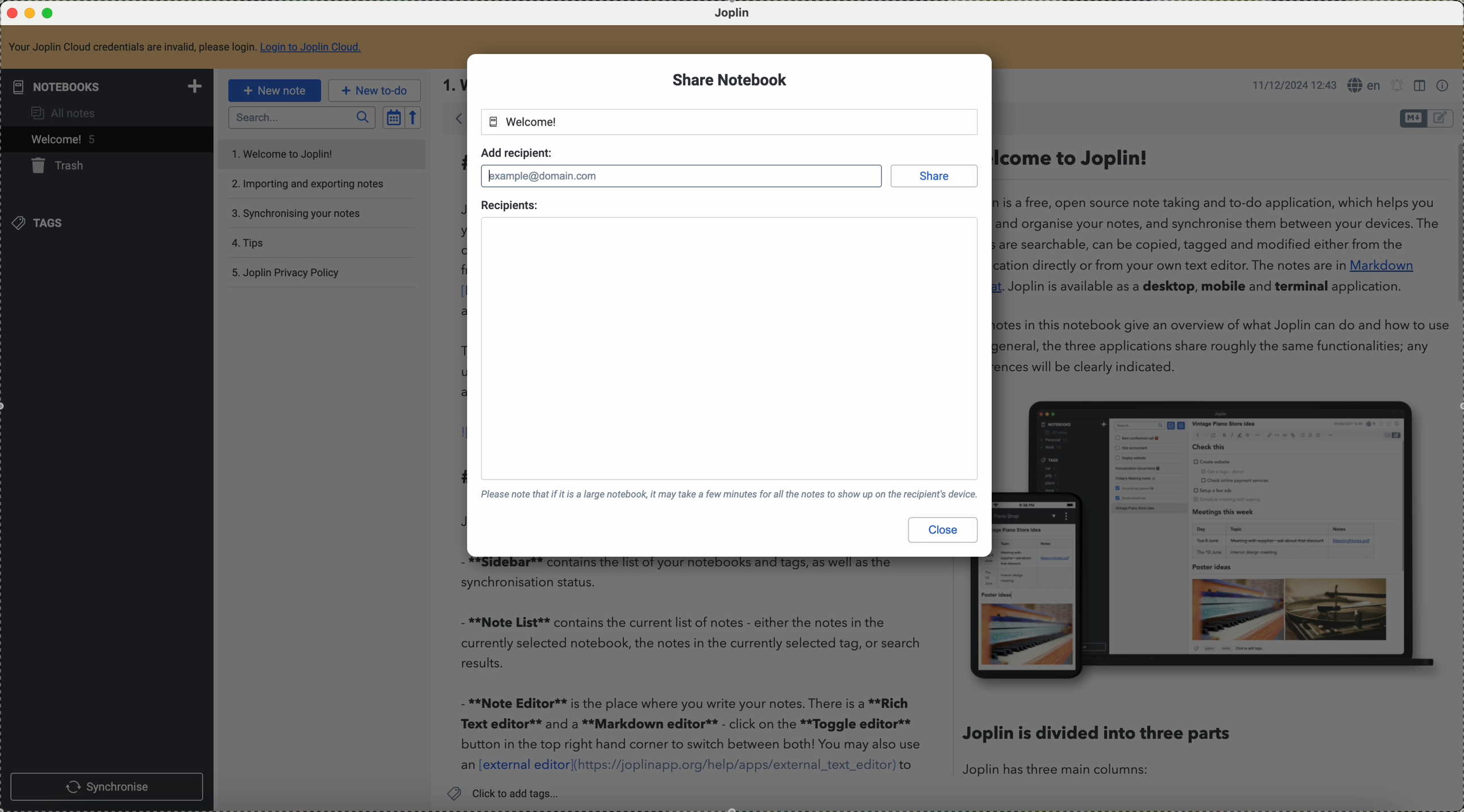 Image resolution: width=1464 pixels, height=812 pixels. Describe the element at coordinates (937, 176) in the screenshot. I see `share` at that location.